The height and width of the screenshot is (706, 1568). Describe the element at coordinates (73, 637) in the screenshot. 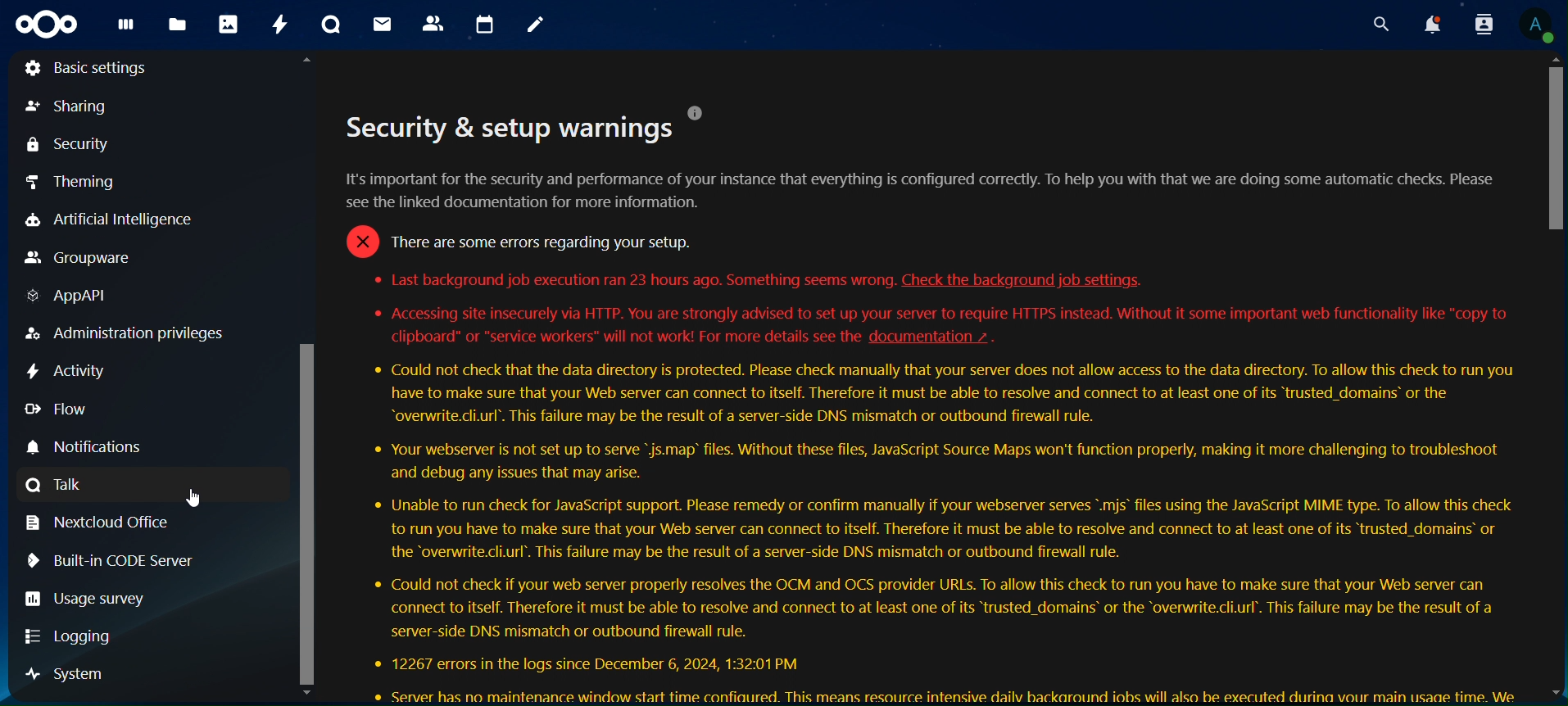

I see `logging` at that location.